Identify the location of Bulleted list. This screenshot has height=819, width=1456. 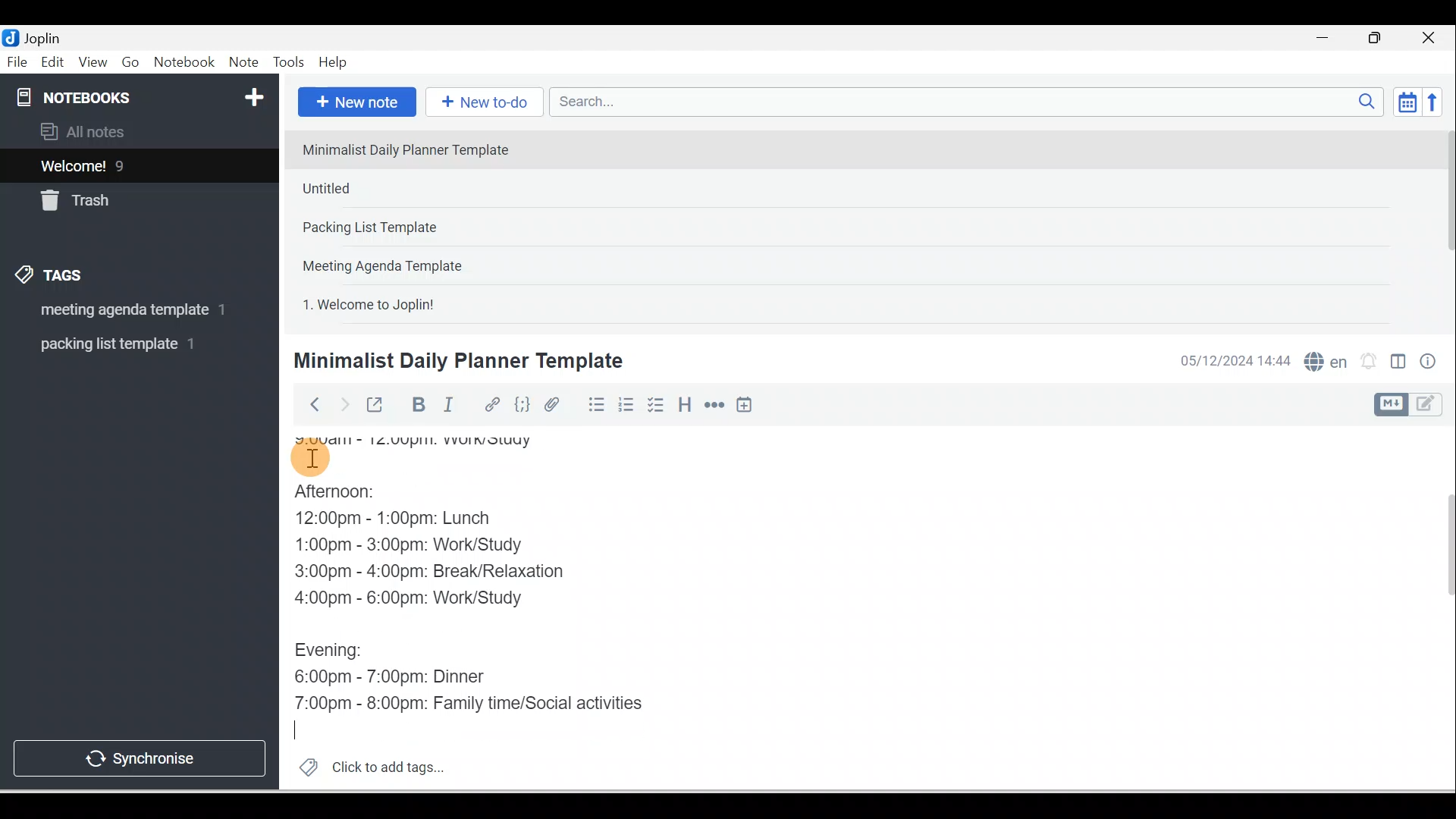
(593, 404).